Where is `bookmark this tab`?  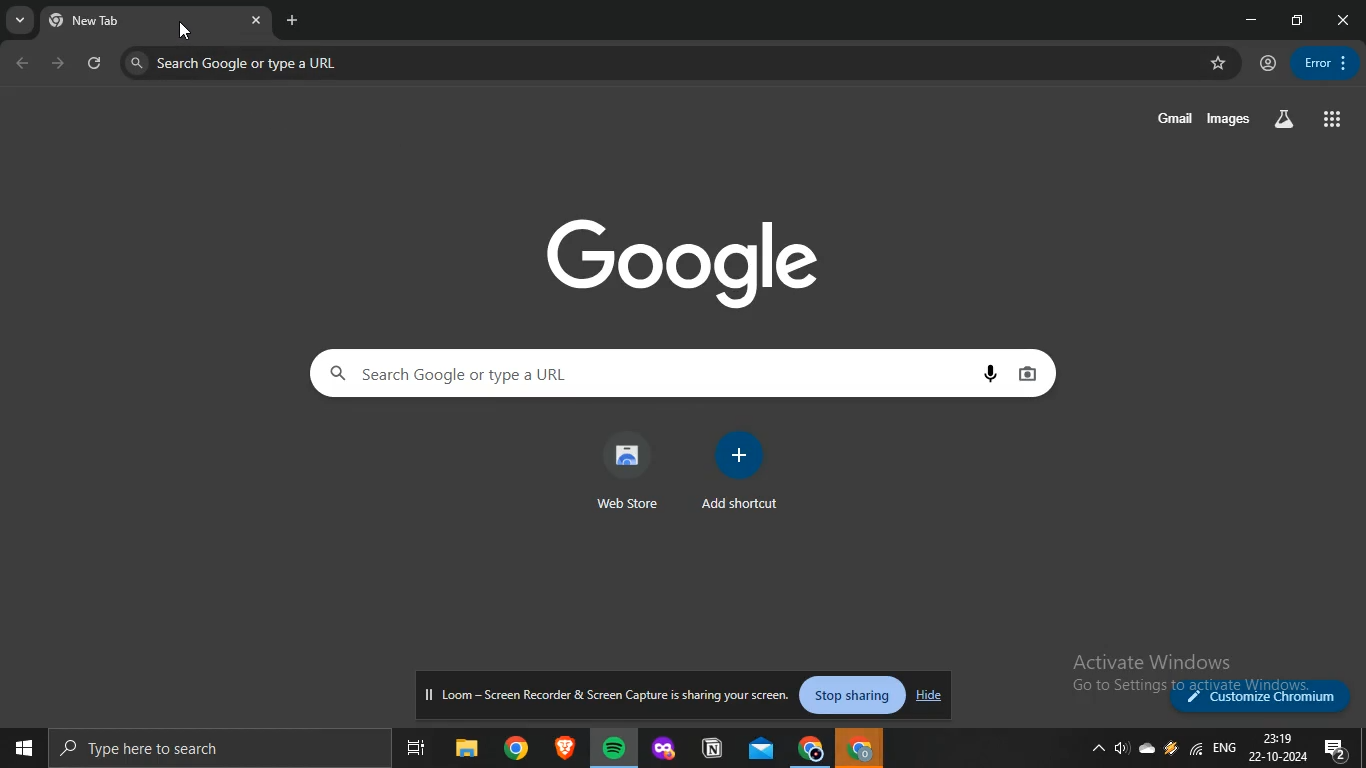
bookmark this tab is located at coordinates (1220, 64).